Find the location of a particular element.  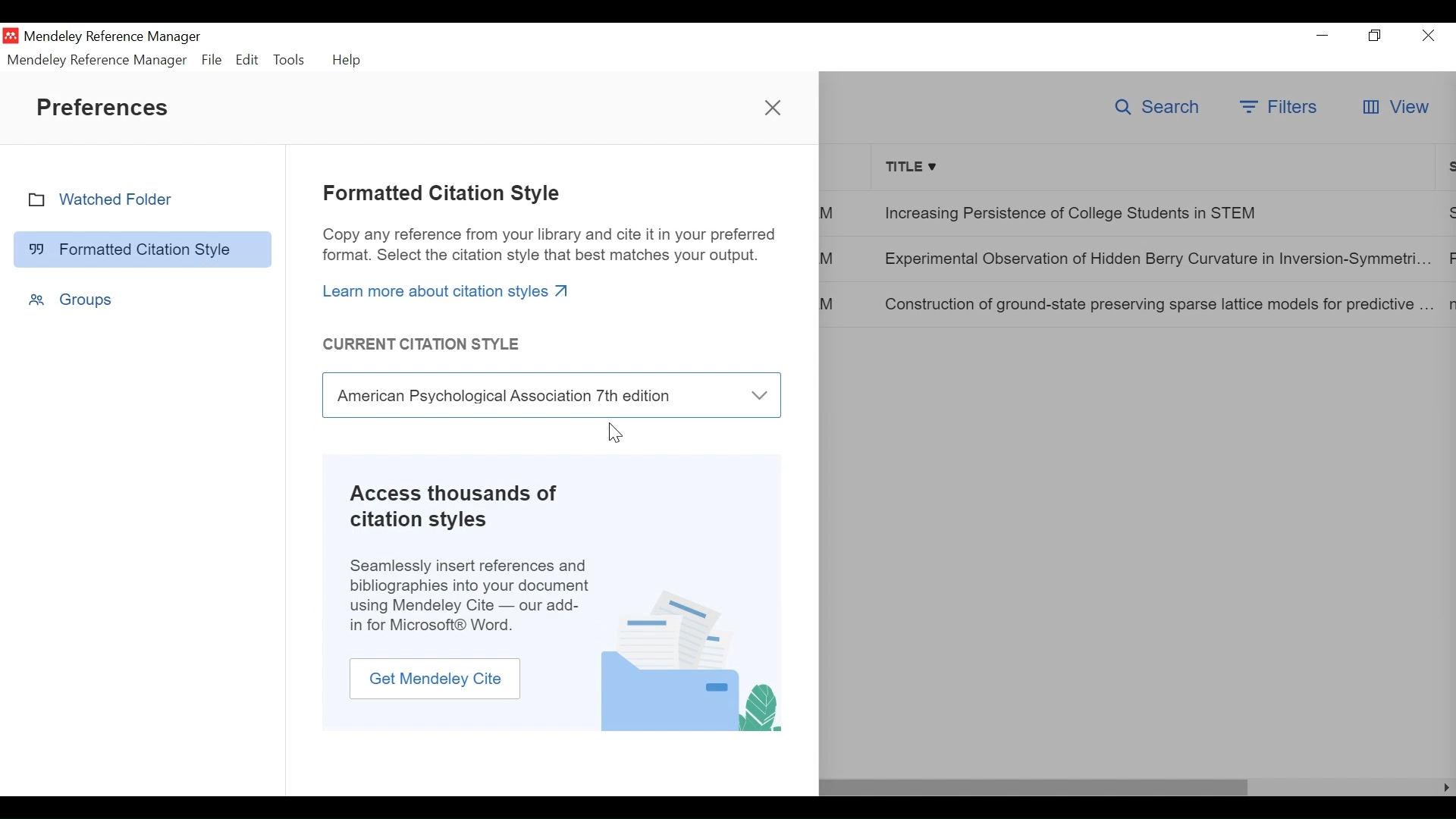

Groups is located at coordinates (71, 299).